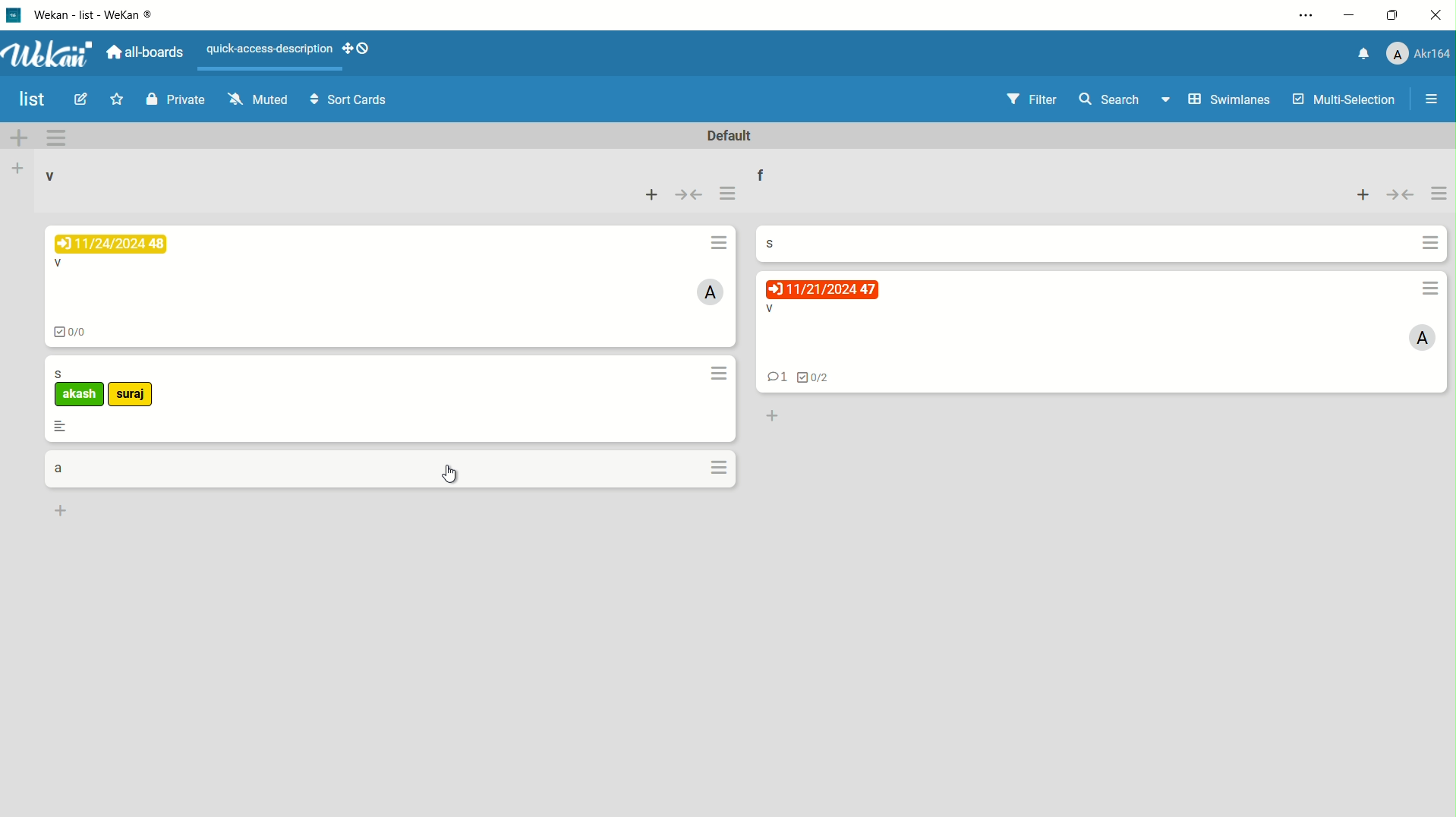 The image size is (1456, 817). What do you see at coordinates (116, 99) in the screenshot?
I see `star` at bounding box center [116, 99].